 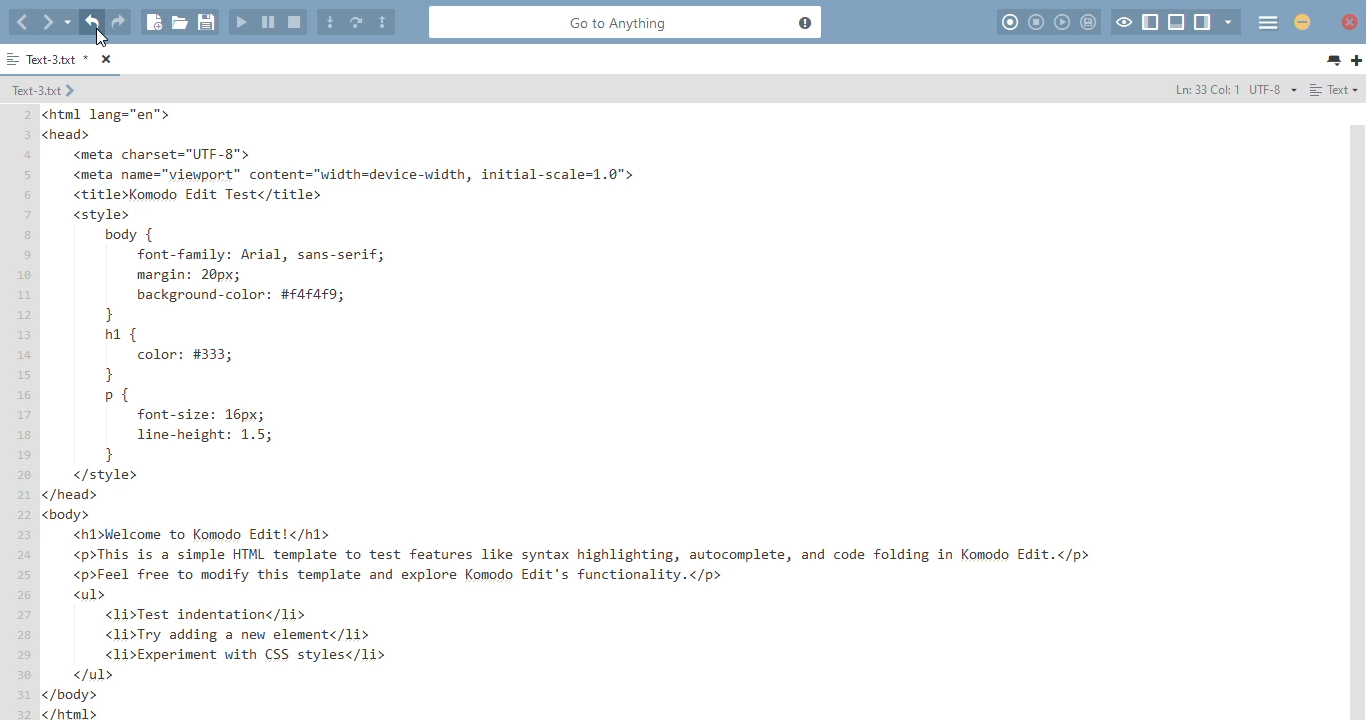 What do you see at coordinates (1334, 90) in the screenshot?
I see `file type` at bounding box center [1334, 90].